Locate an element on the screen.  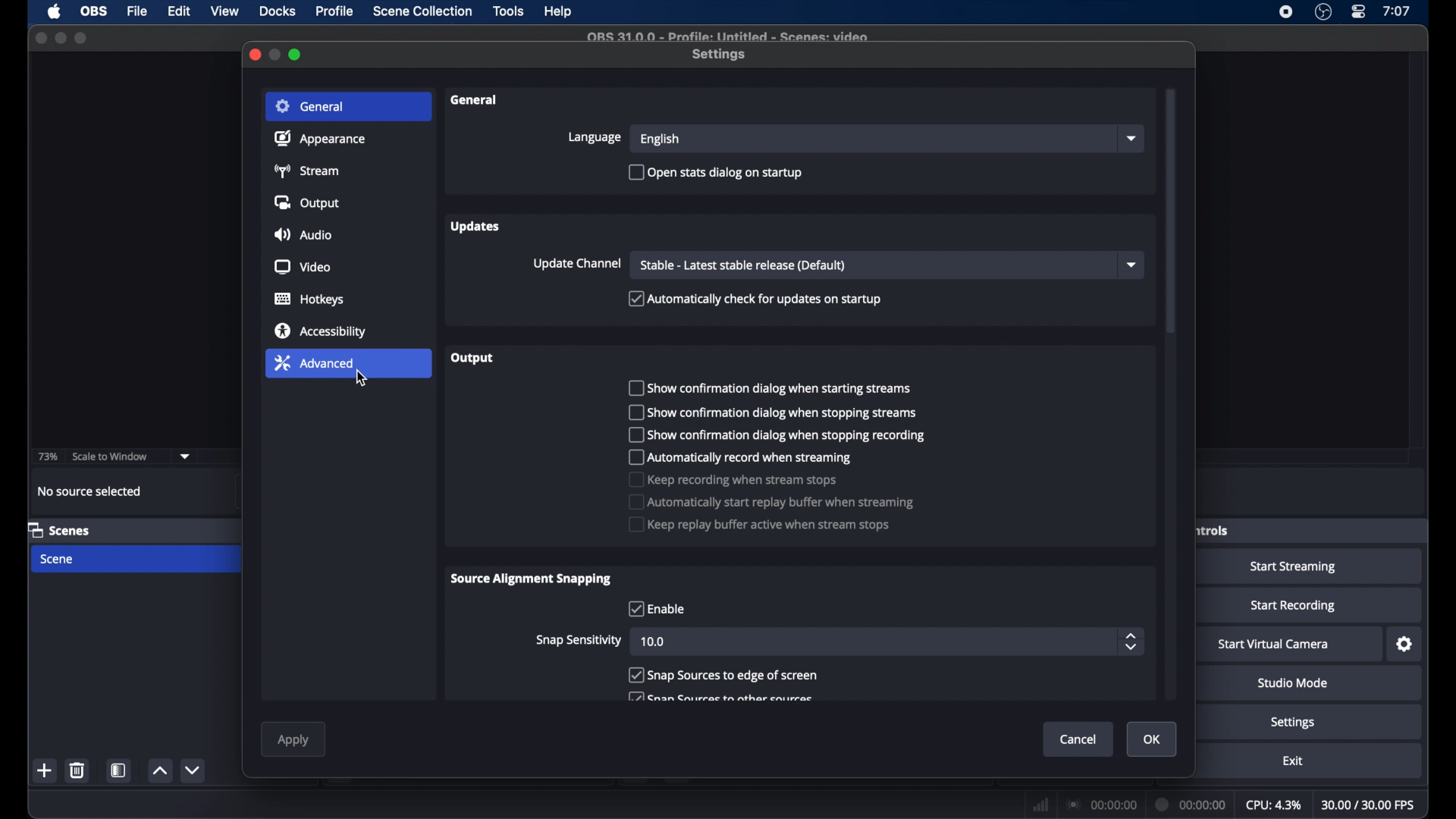
hotkeys is located at coordinates (309, 299).